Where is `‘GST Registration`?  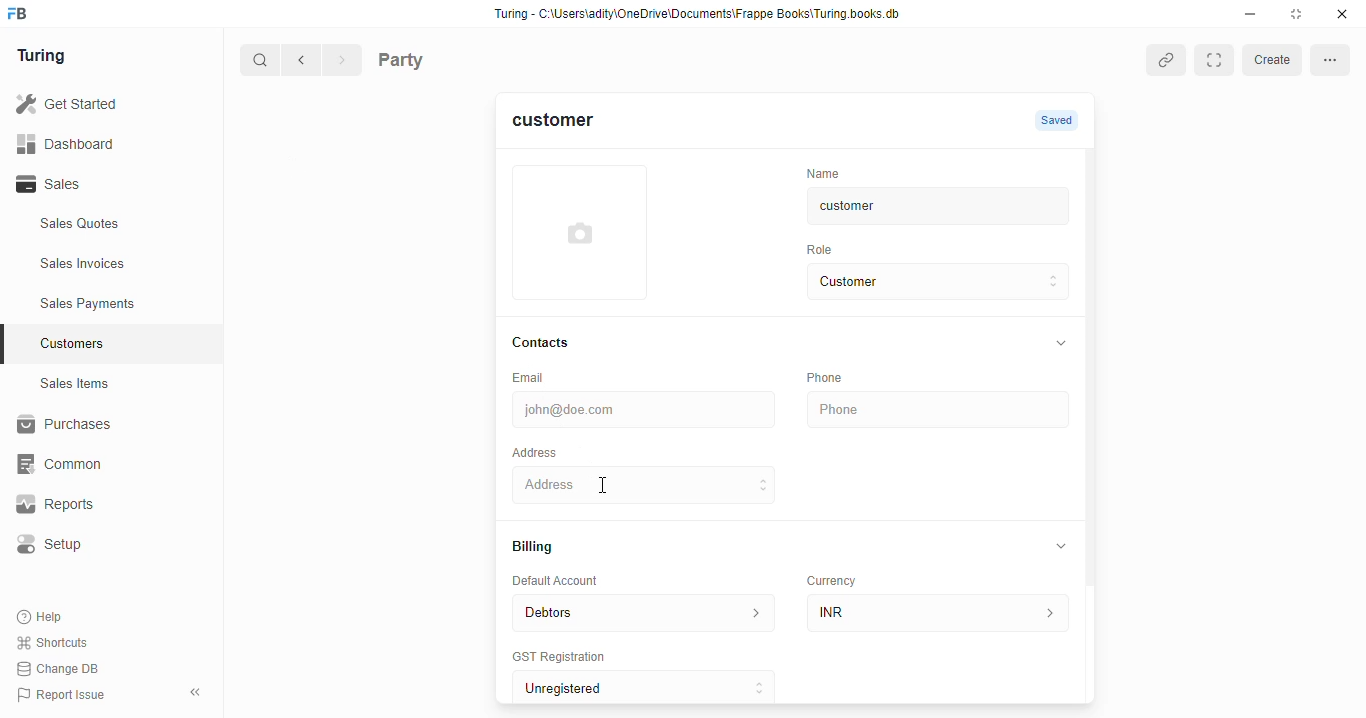
‘GST Registration is located at coordinates (557, 656).